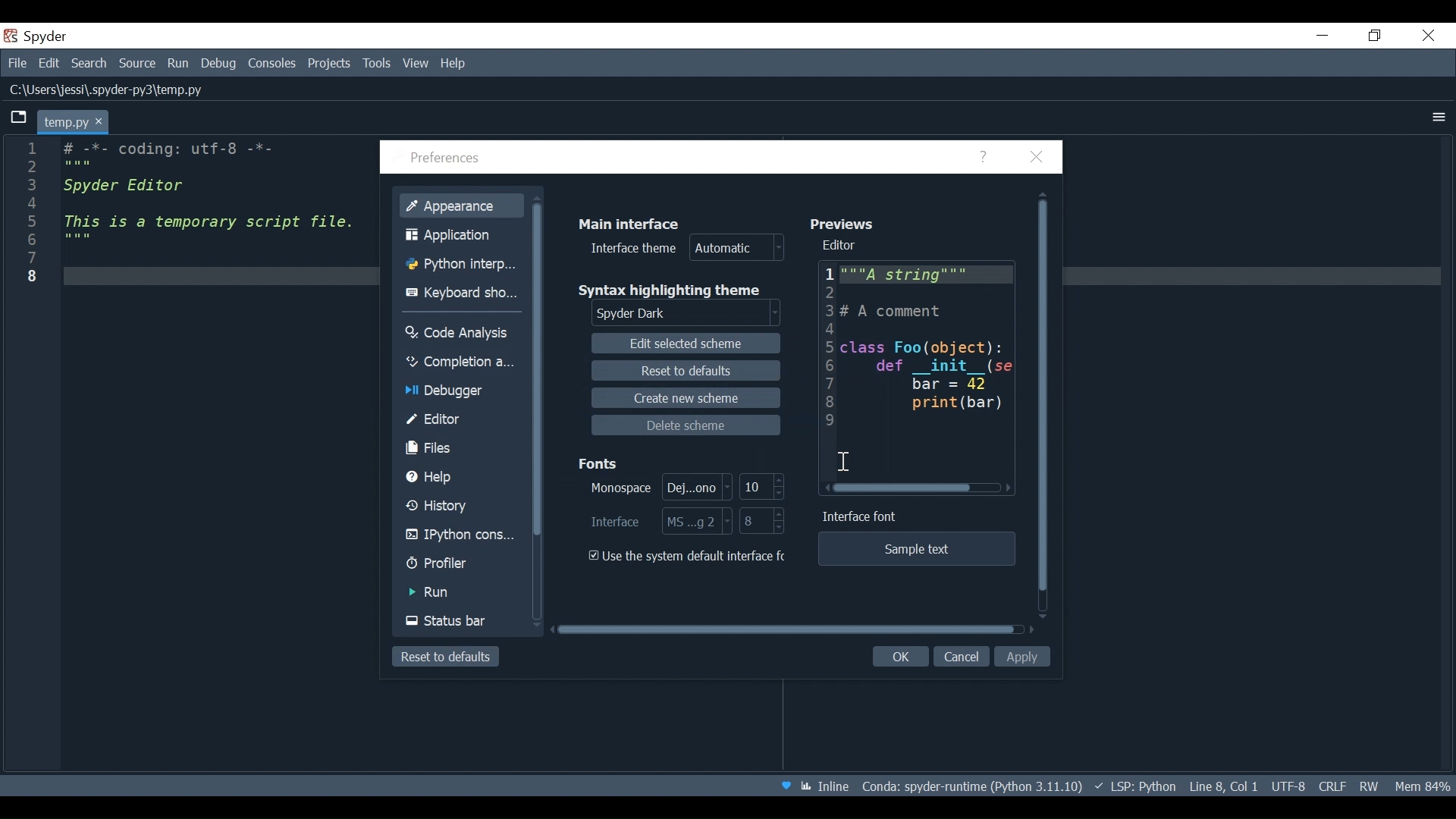 The image size is (1456, 819). Describe the element at coordinates (843, 246) in the screenshot. I see `Editor` at that location.